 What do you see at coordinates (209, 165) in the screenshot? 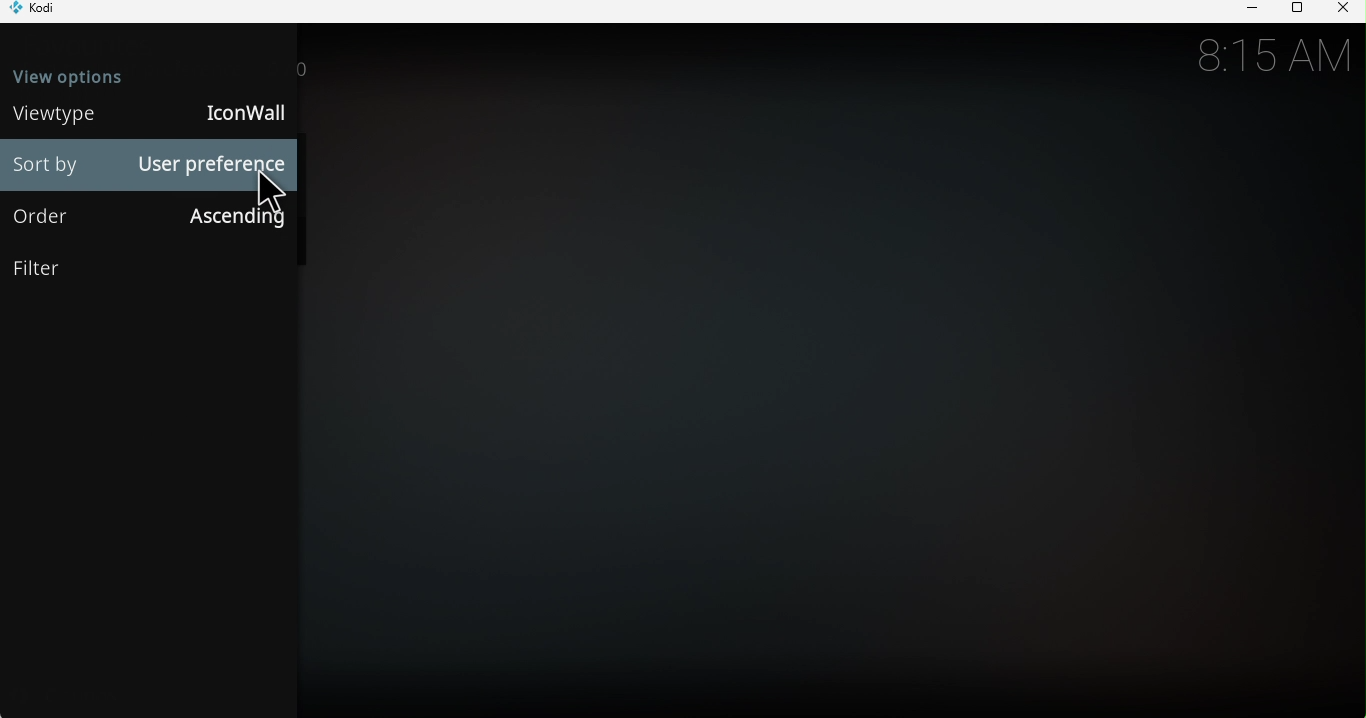
I see `User preference` at bounding box center [209, 165].